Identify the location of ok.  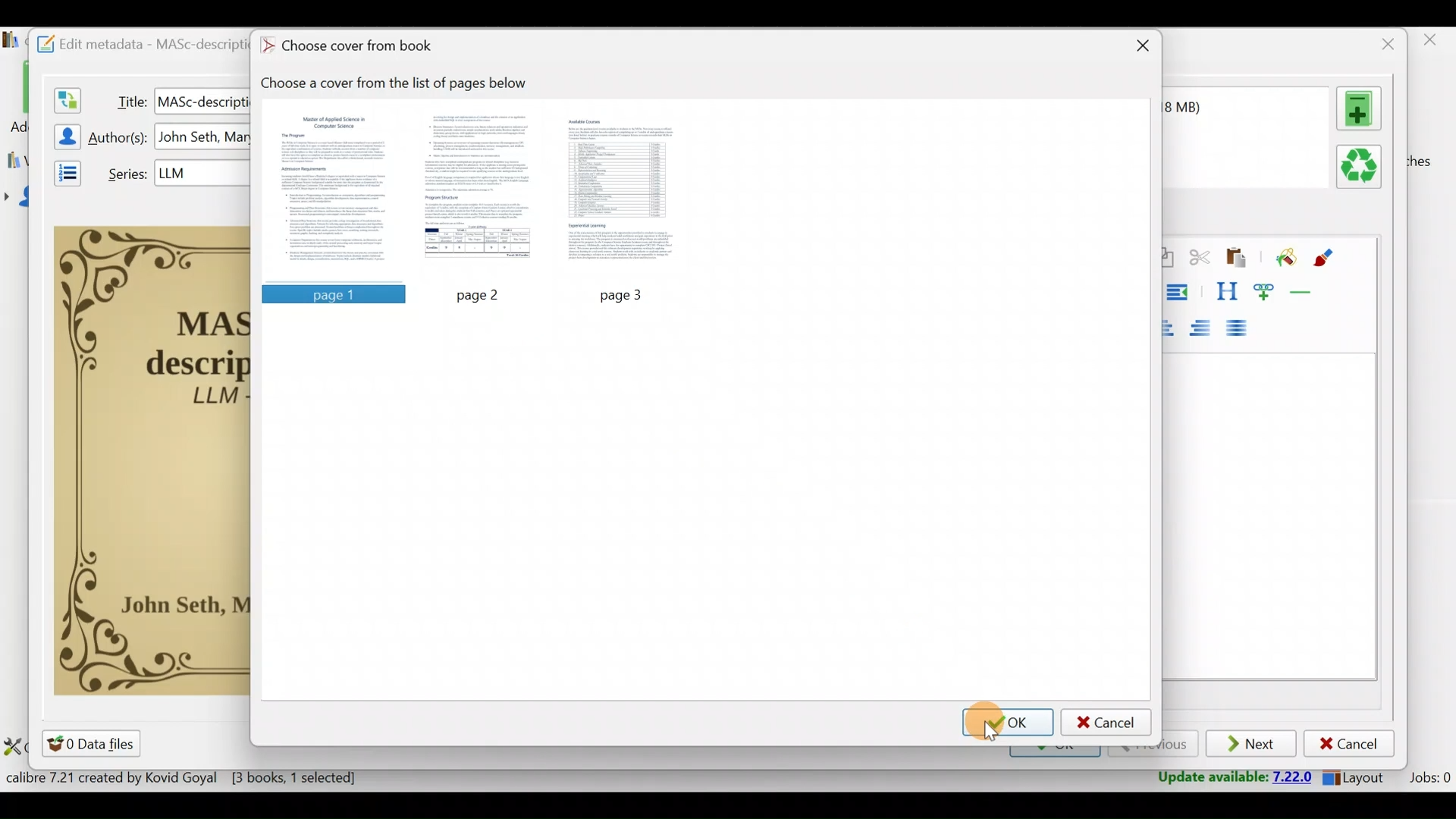
(1009, 721).